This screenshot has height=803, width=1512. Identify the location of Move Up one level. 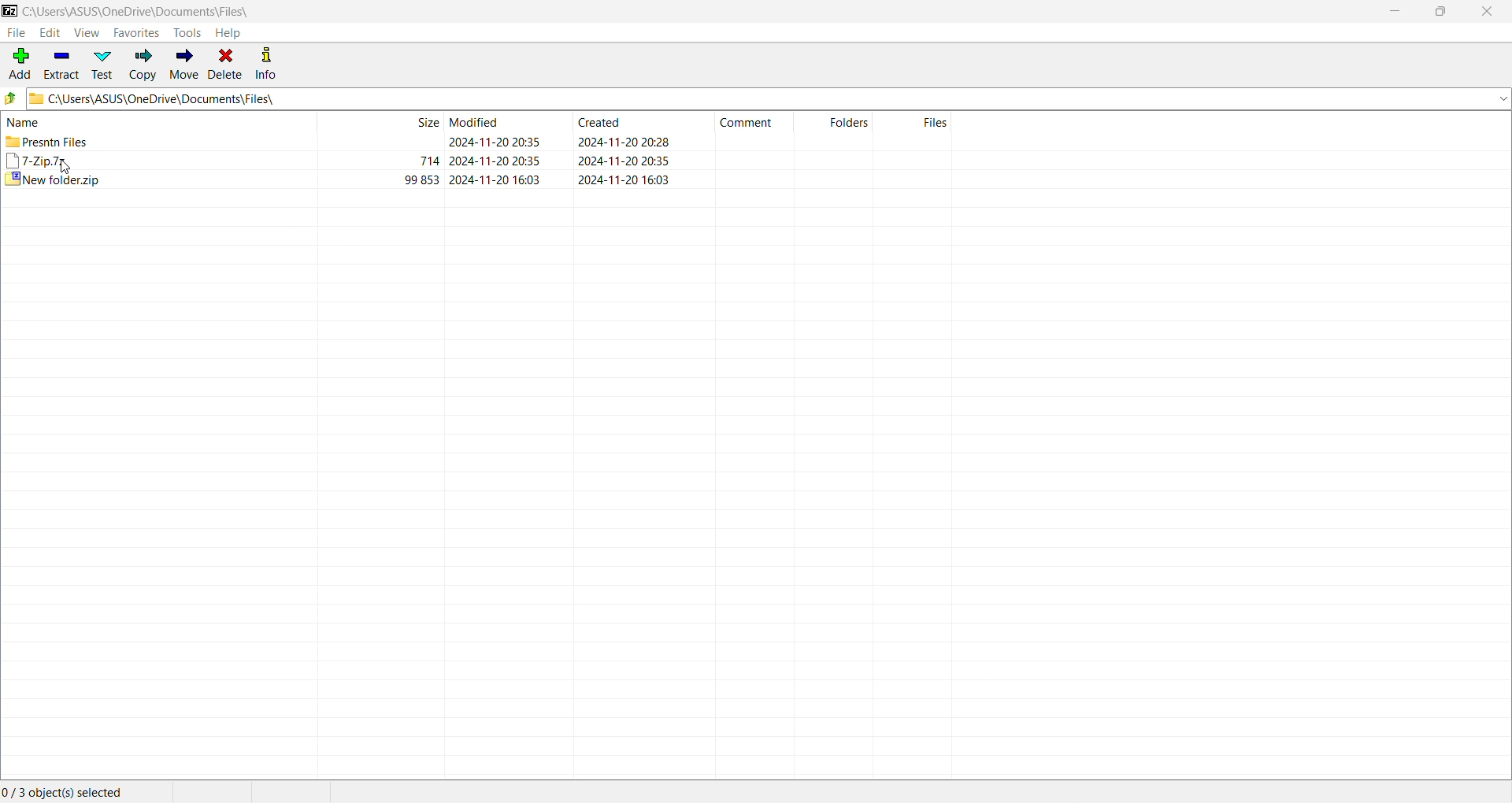
(11, 98).